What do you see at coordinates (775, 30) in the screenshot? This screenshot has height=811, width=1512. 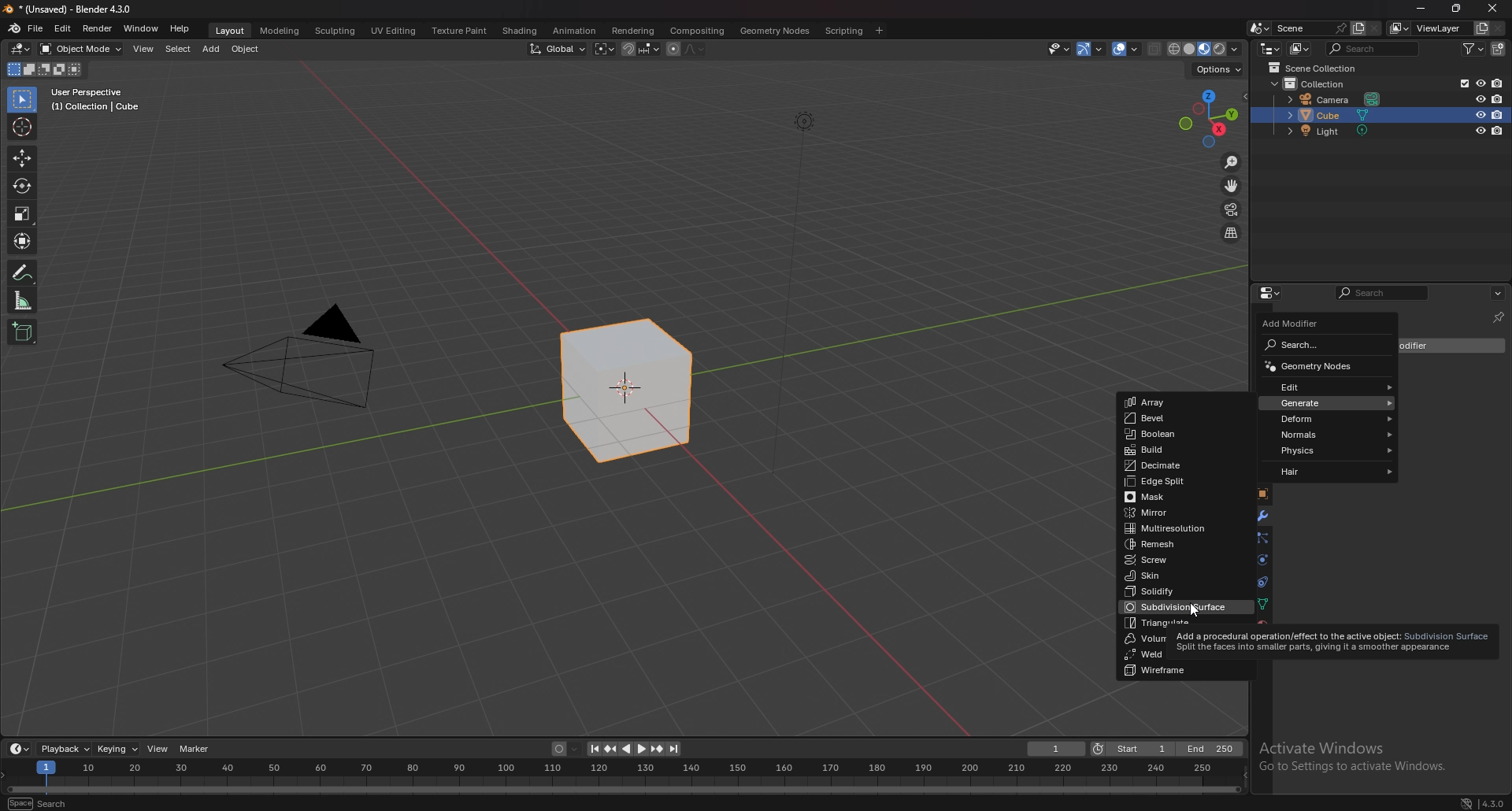 I see `geometry nodes` at bounding box center [775, 30].